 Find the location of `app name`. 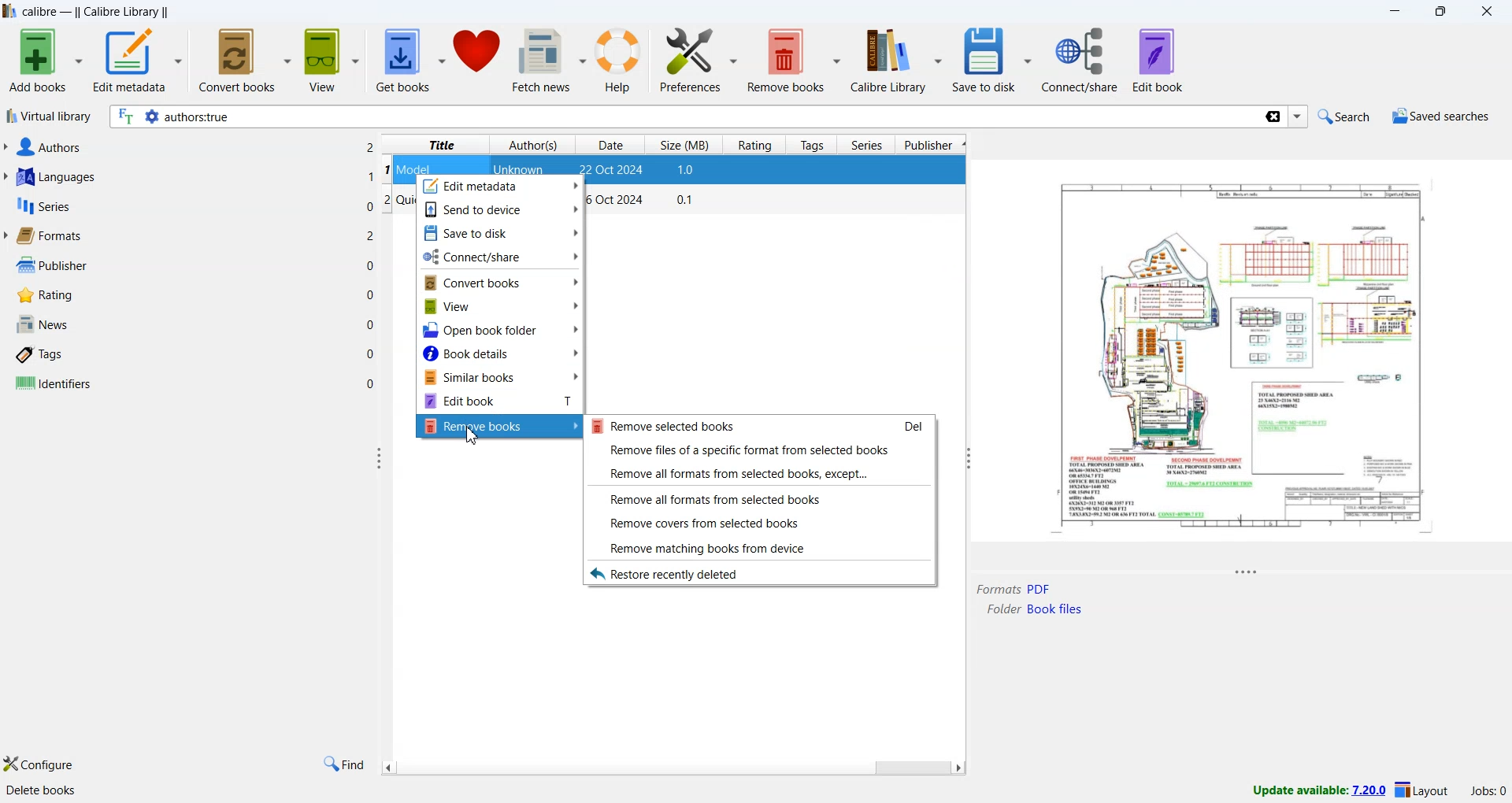

app name is located at coordinates (42, 12).